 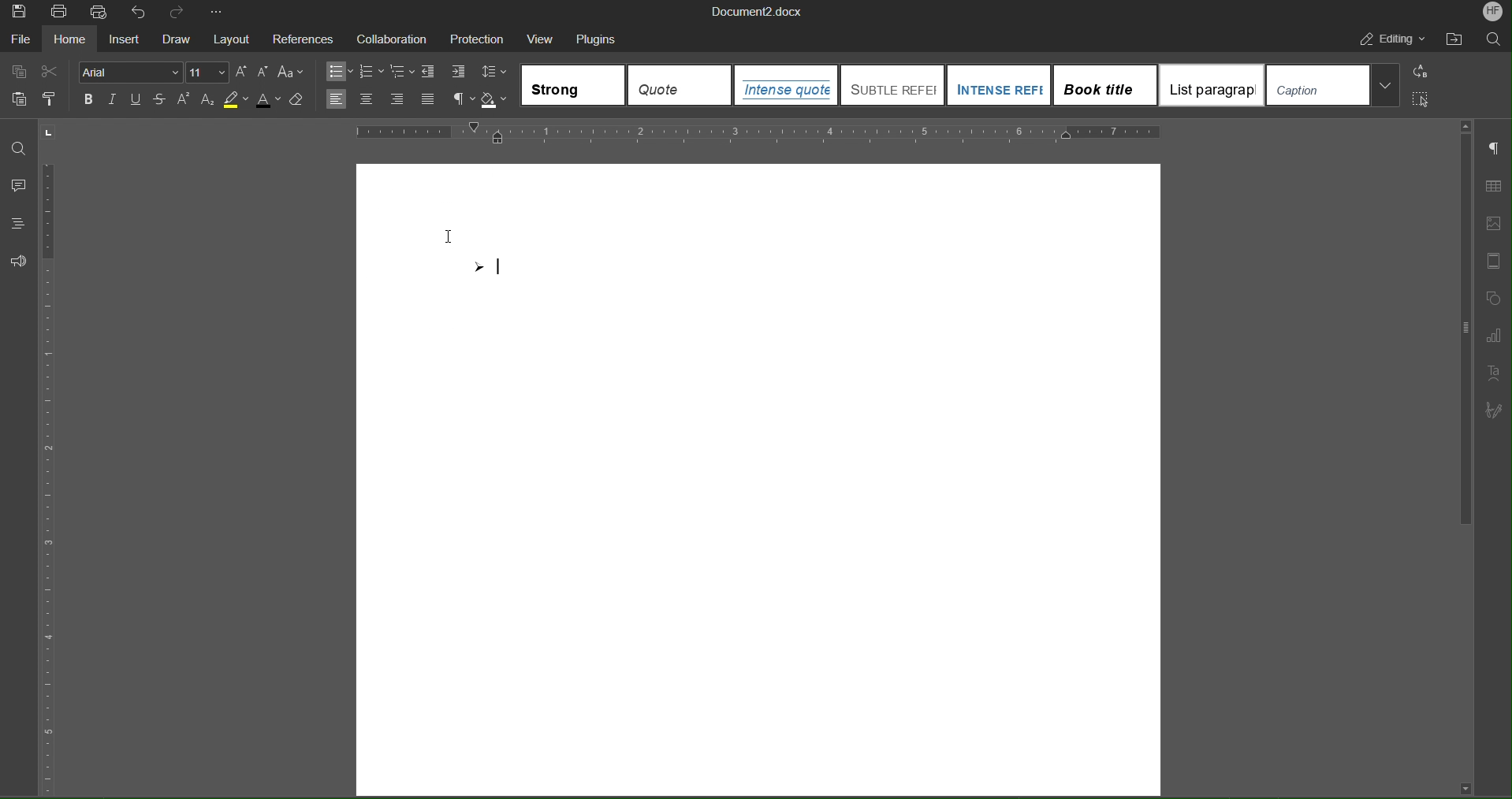 I want to click on Decrease Indent, so click(x=430, y=70).